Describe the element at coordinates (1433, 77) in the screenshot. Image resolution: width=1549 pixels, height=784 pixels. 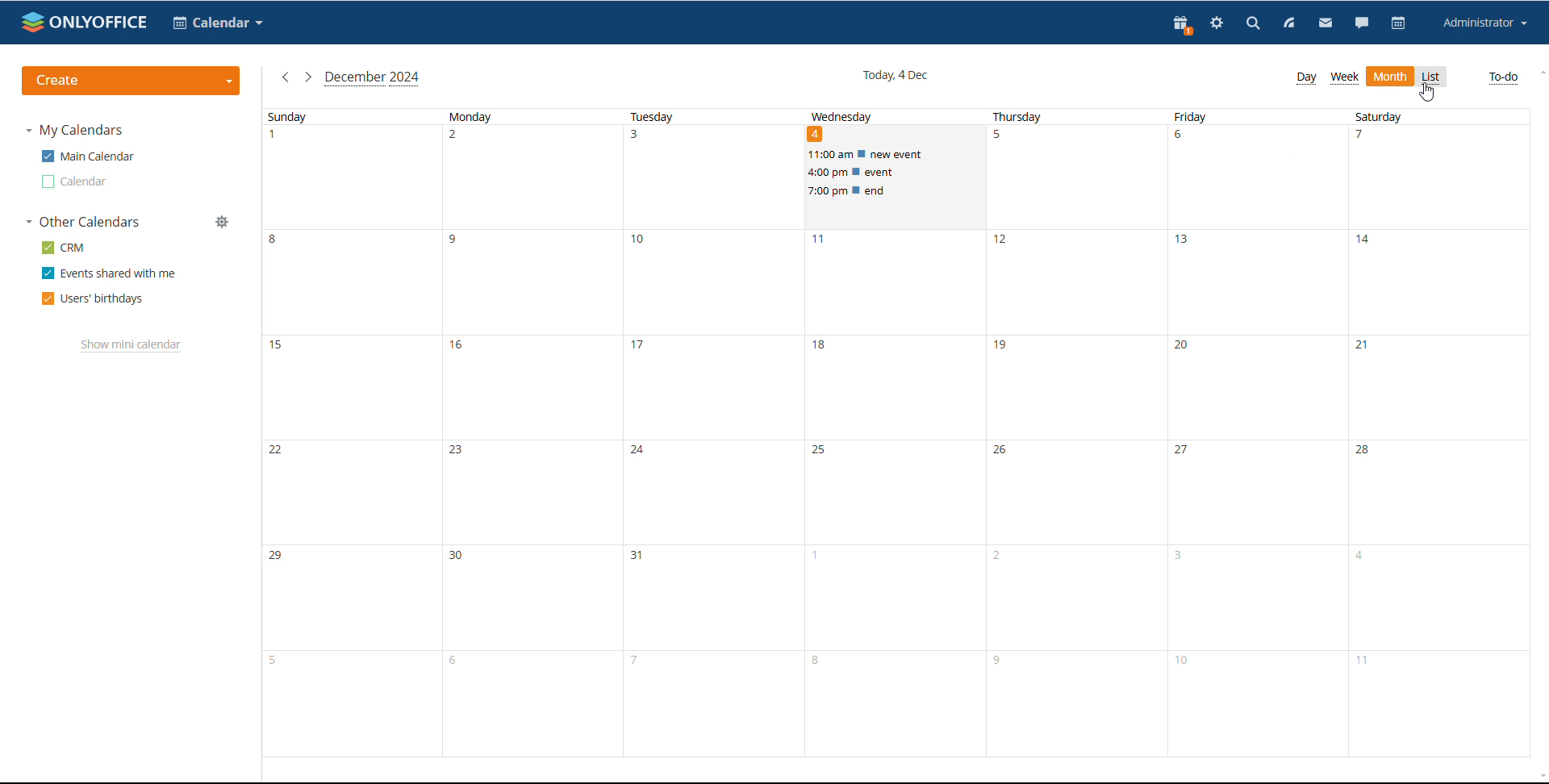
I see `list view` at that location.